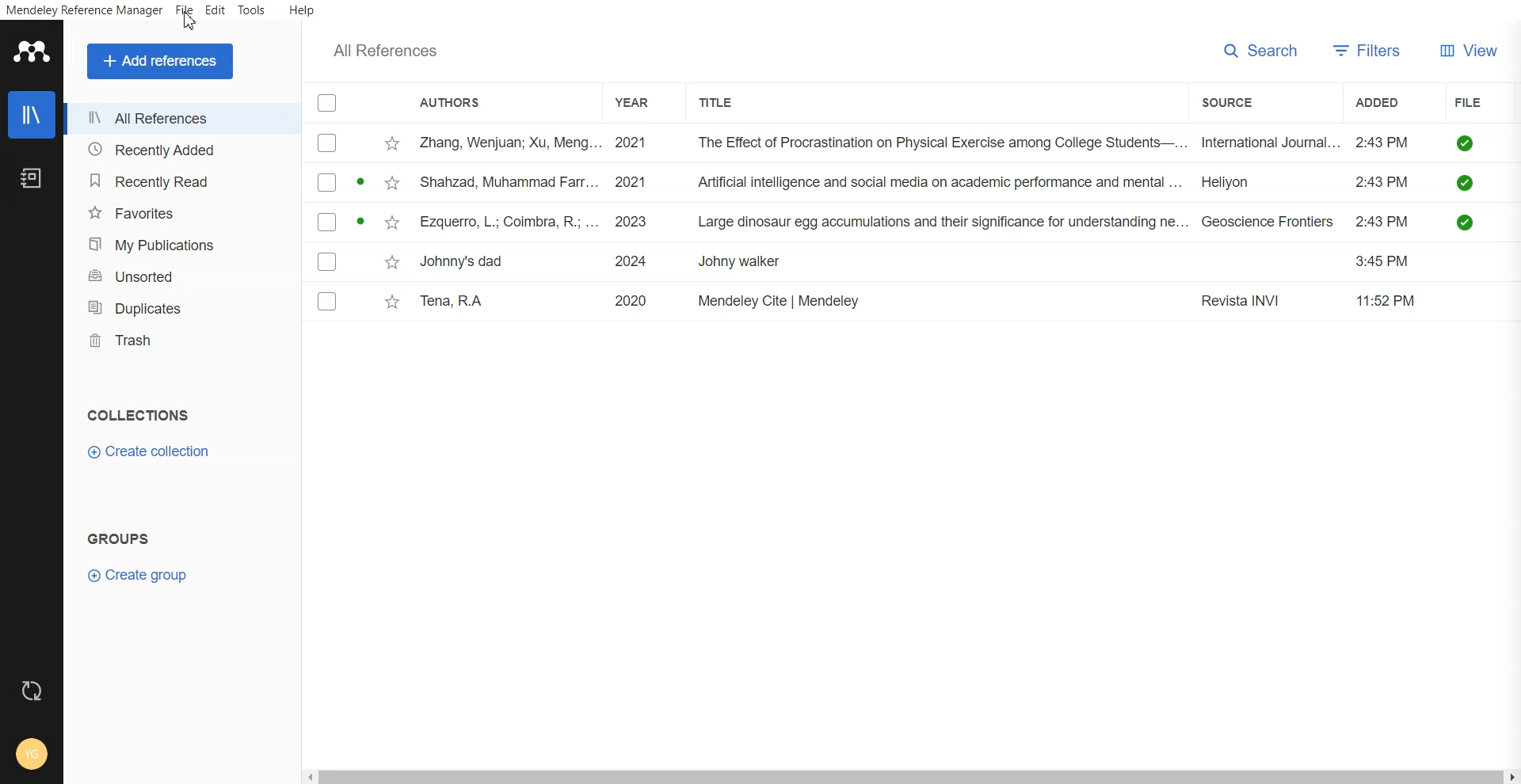 Image resolution: width=1521 pixels, height=784 pixels. Describe the element at coordinates (1470, 52) in the screenshot. I see `View` at that location.